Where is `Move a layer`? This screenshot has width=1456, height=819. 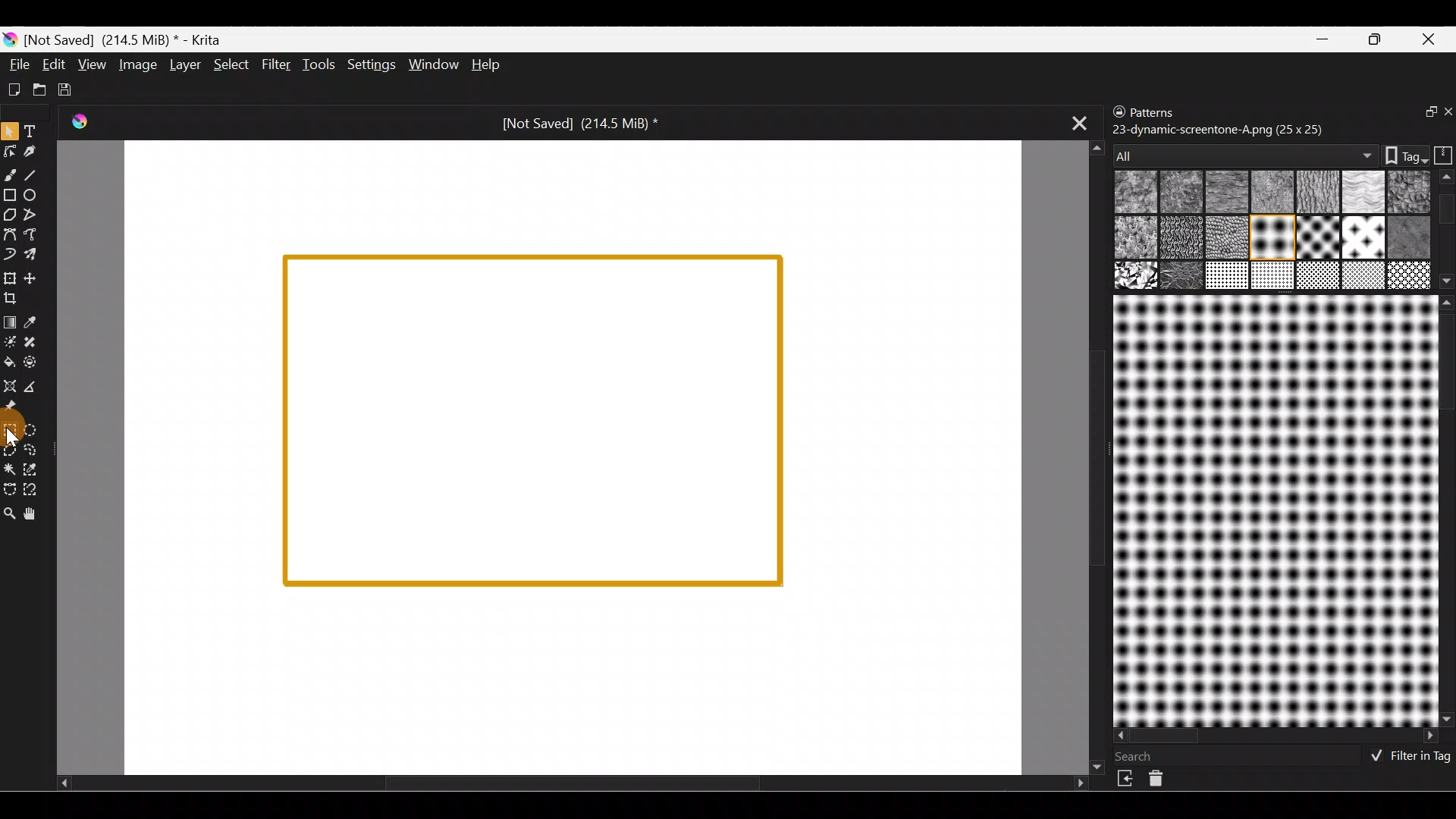 Move a layer is located at coordinates (37, 277).